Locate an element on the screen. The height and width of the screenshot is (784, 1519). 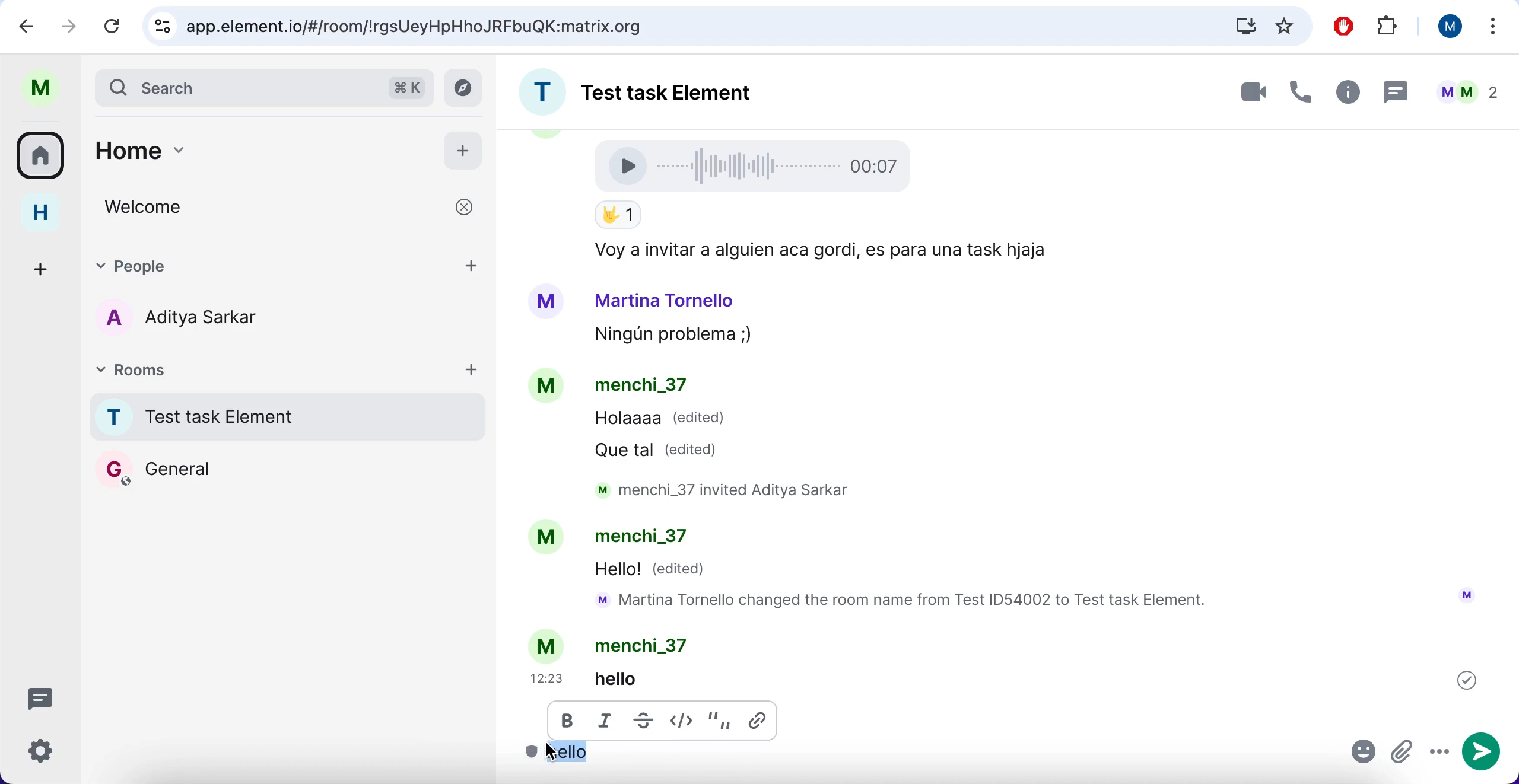
strikethrough is located at coordinates (643, 721).